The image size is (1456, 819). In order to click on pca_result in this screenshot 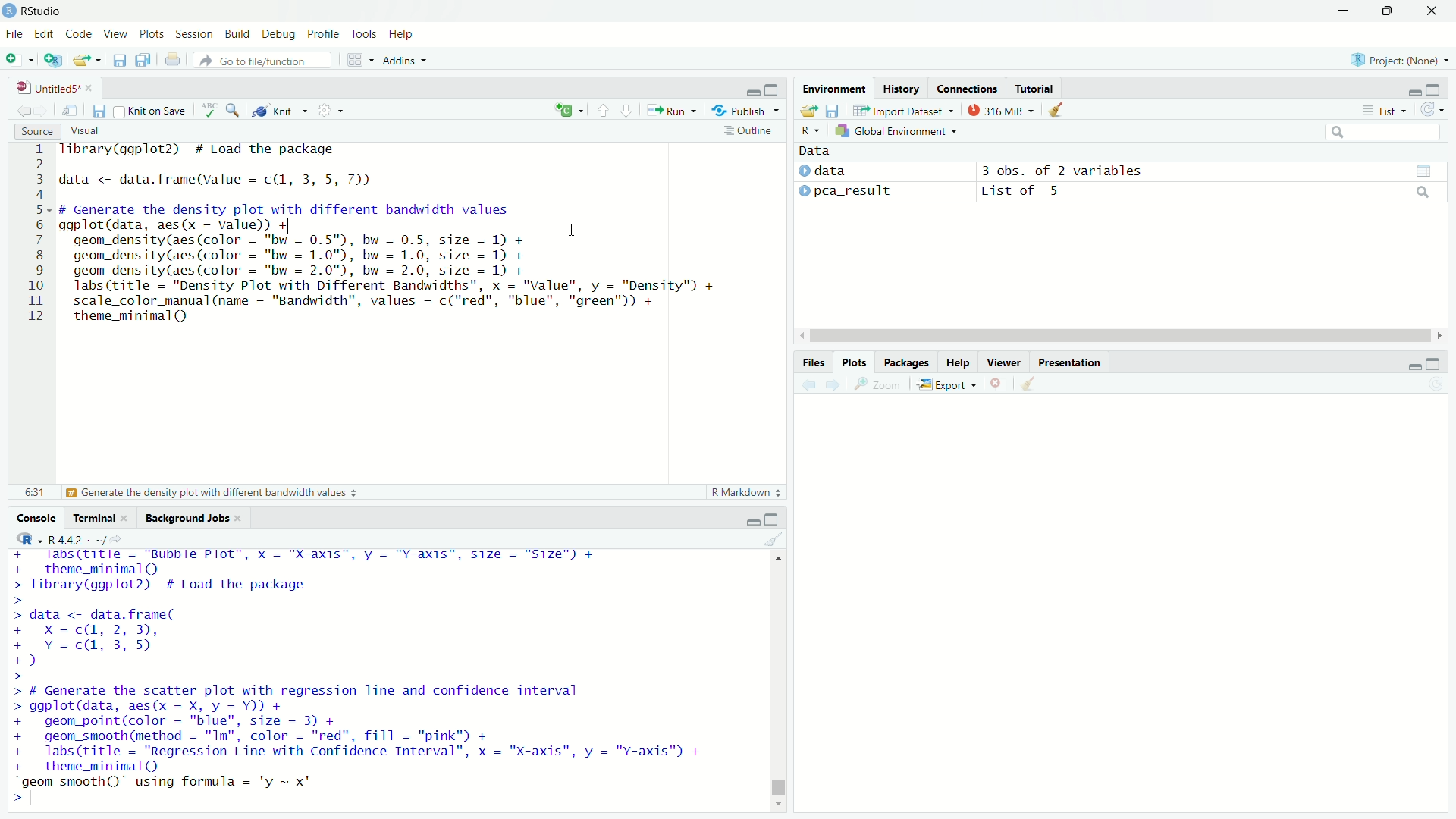, I will do `click(854, 192)`.